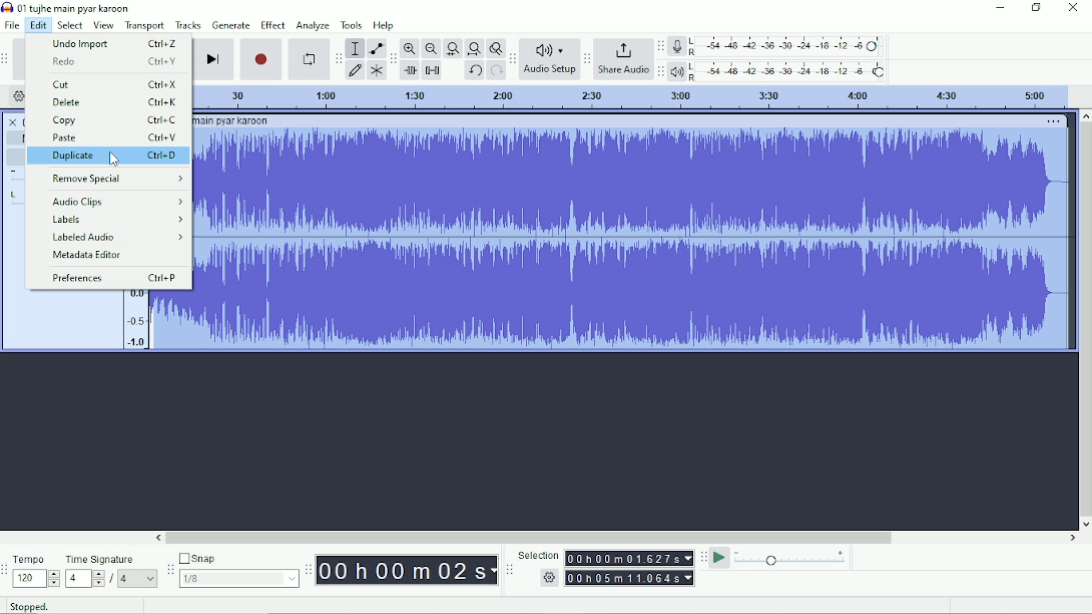 The image size is (1092, 614). Describe the element at coordinates (115, 138) in the screenshot. I see `Paste` at that location.